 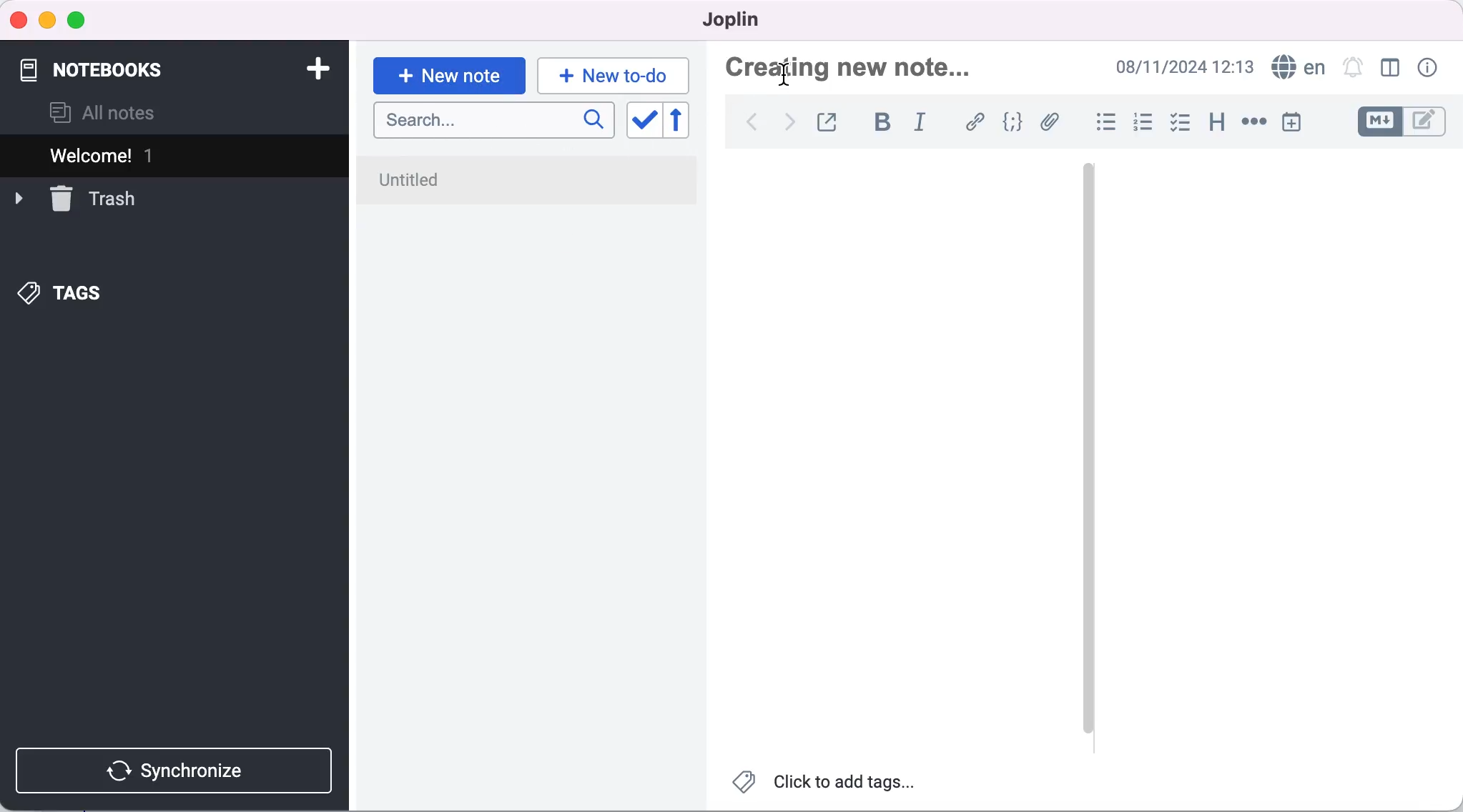 I want to click on back, so click(x=751, y=122).